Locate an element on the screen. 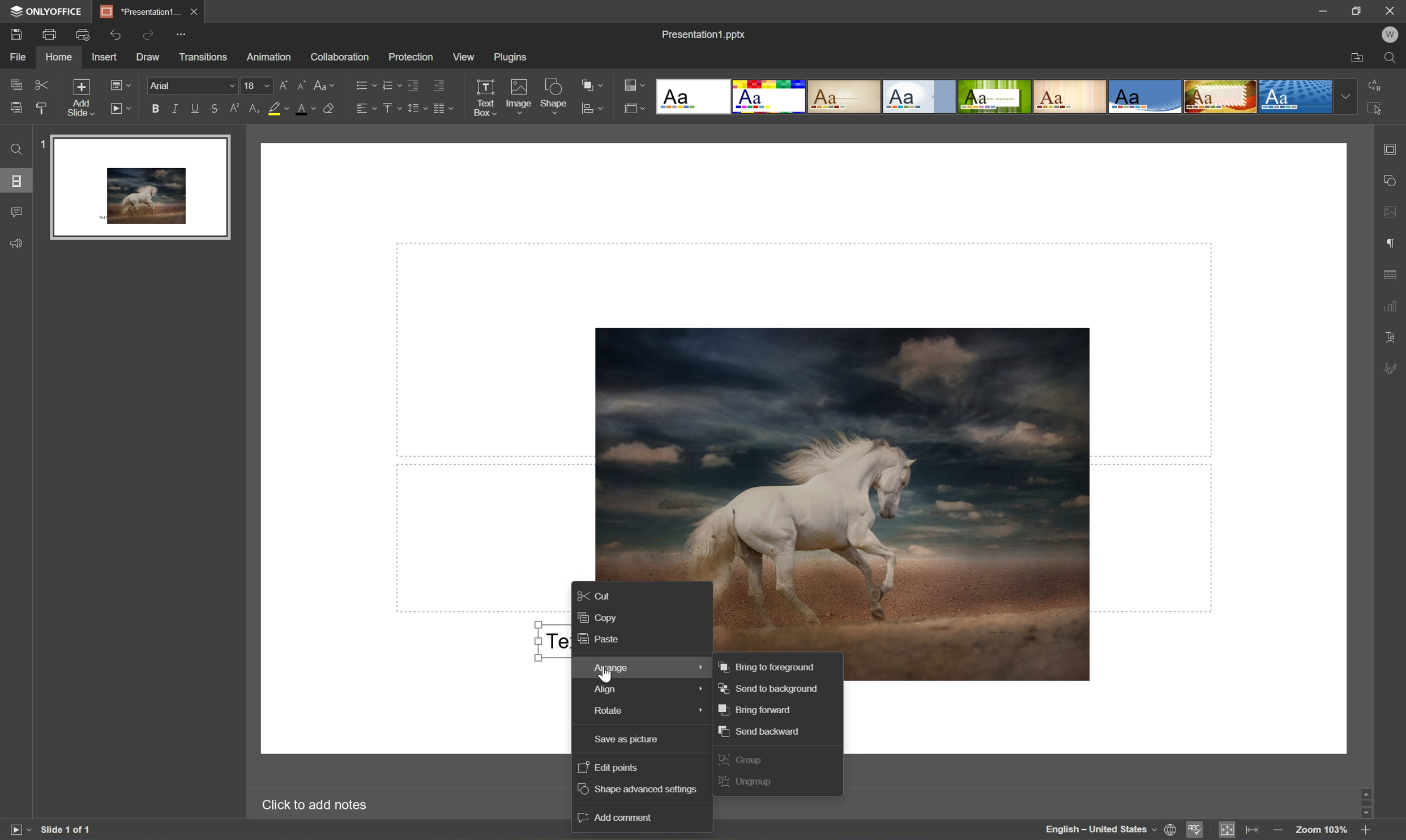 Image resolution: width=1406 pixels, height=840 pixels. Zoom In is located at coordinates (1366, 832).